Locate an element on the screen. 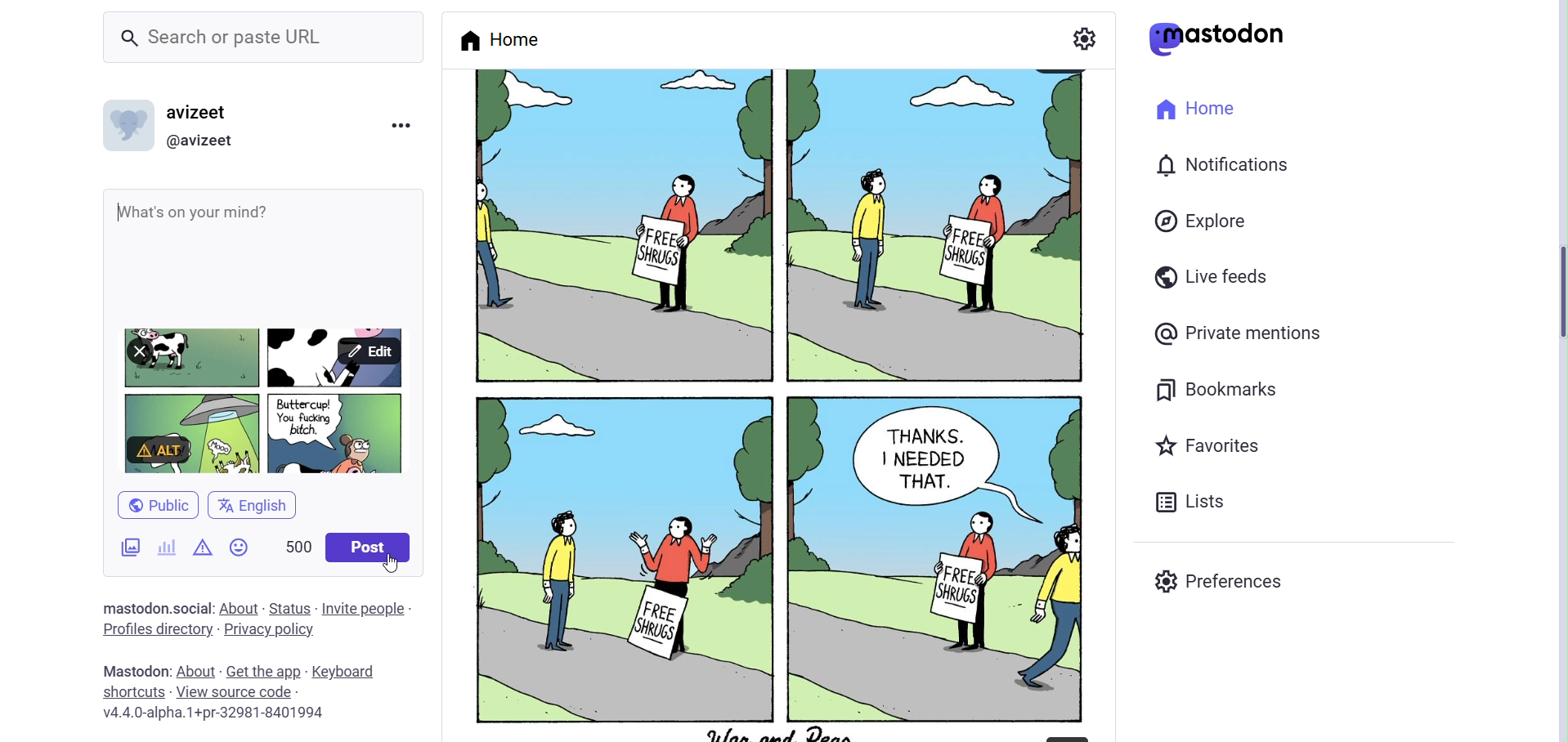 The height and width of the screenshot is (742, 1568). Edit is located at coordinates (369, 348).